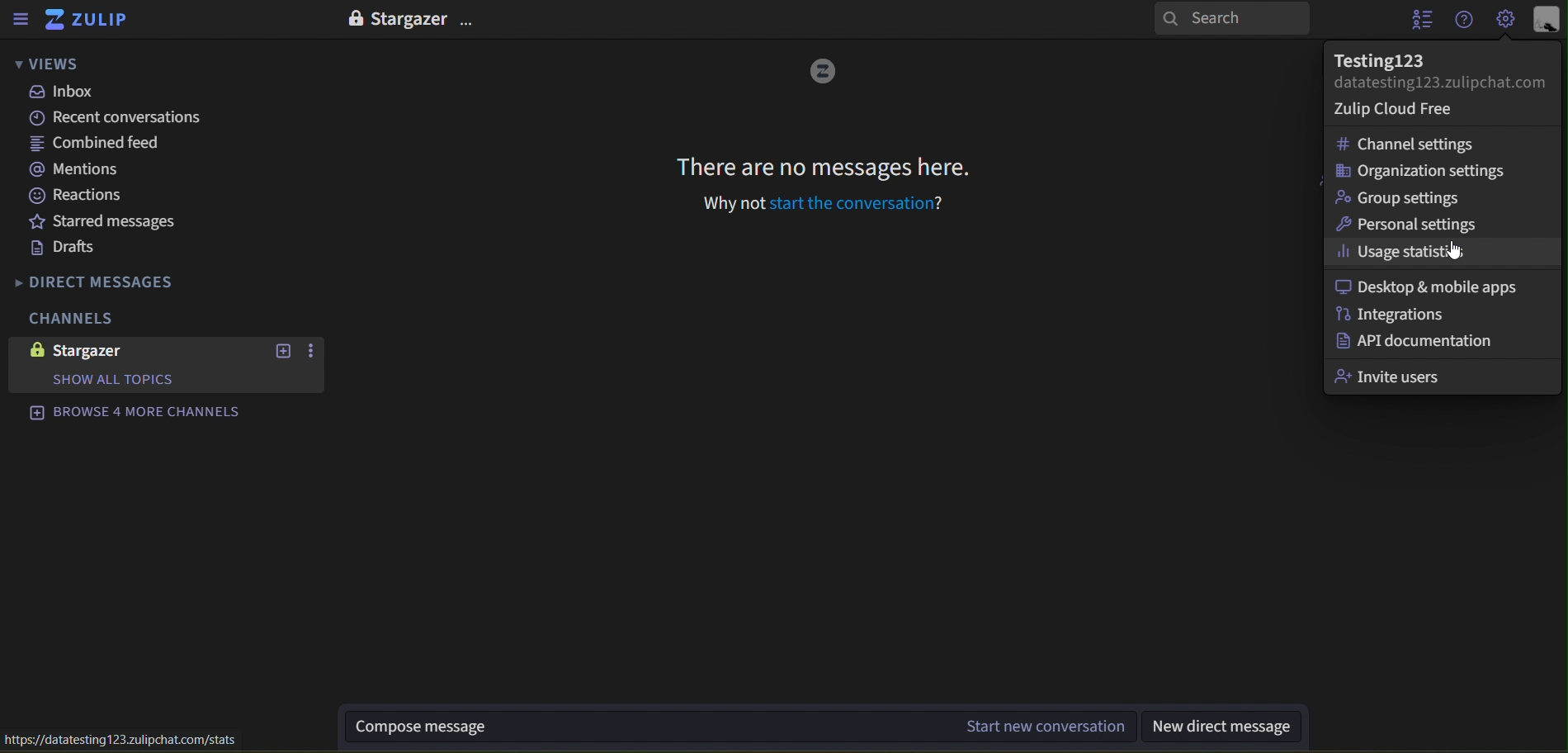 This screenshot has height=753, width=1568. I want to click on channel settings, so click(1405, 145).